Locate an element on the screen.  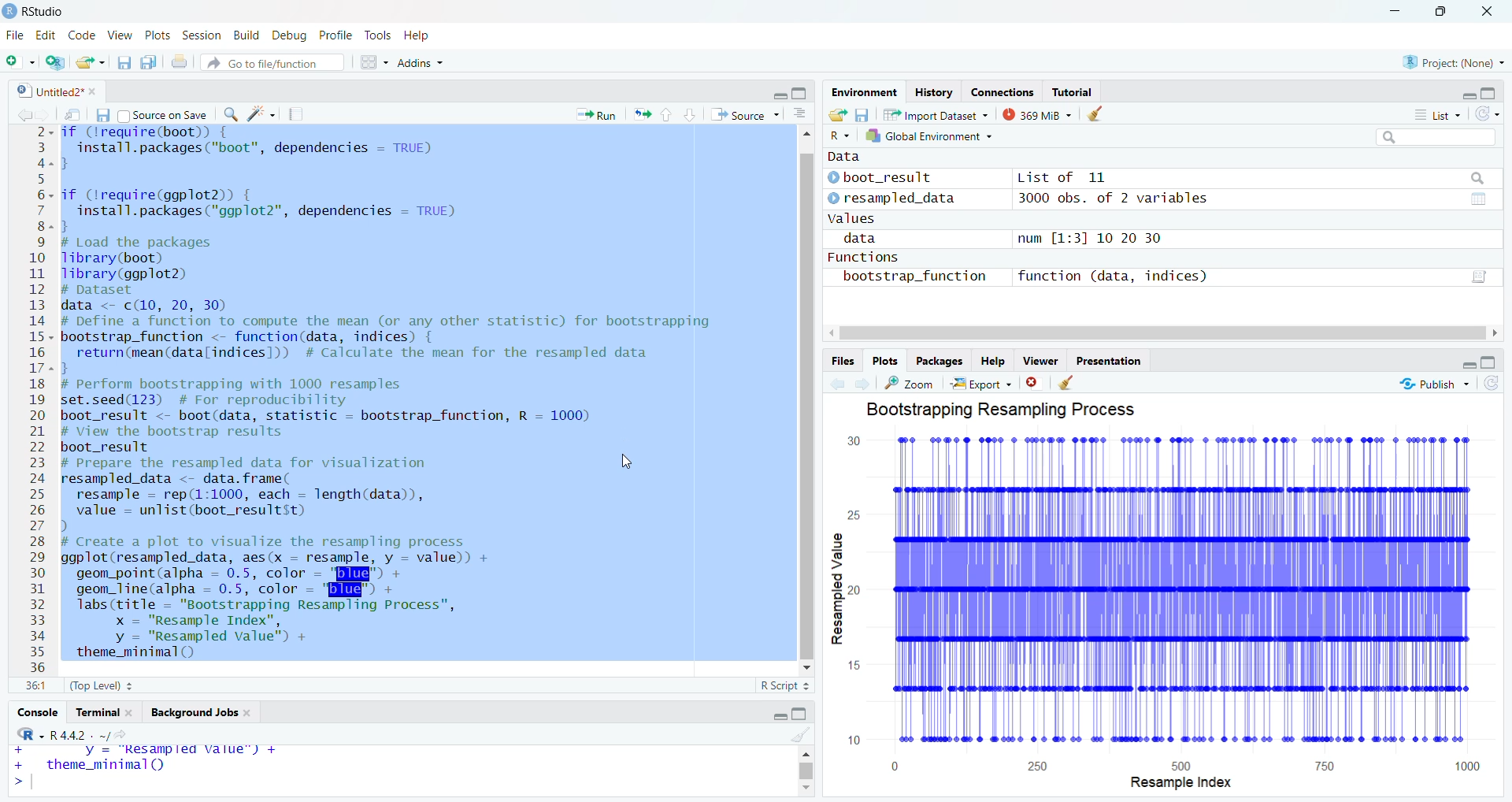
minimize is located at coordinates (1395, 13).